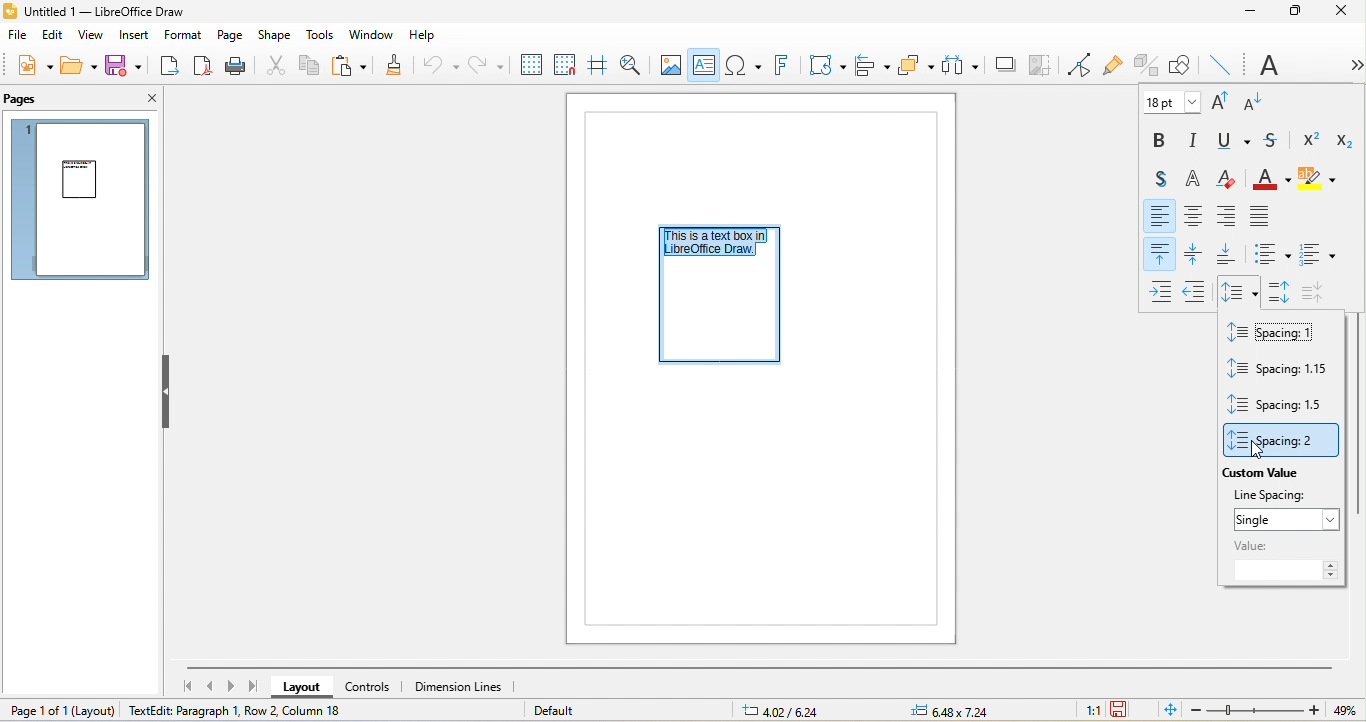 This screenshot has height=722, width=1366. What do you see at coordinates (1198, 290) in the screenshot?
I see `decrease indent` at bounding box center [1198, 290].